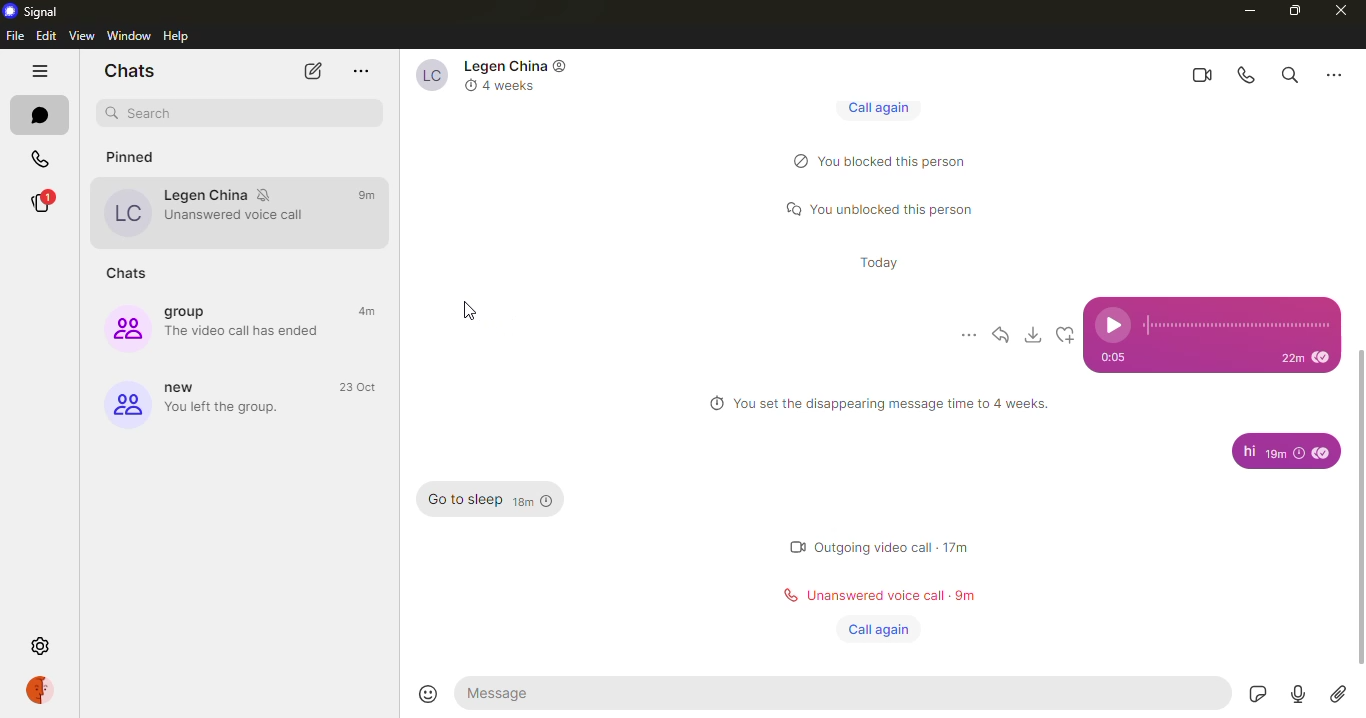 The image size is (1366, 718). I want to click on time, so click(1296, 452).